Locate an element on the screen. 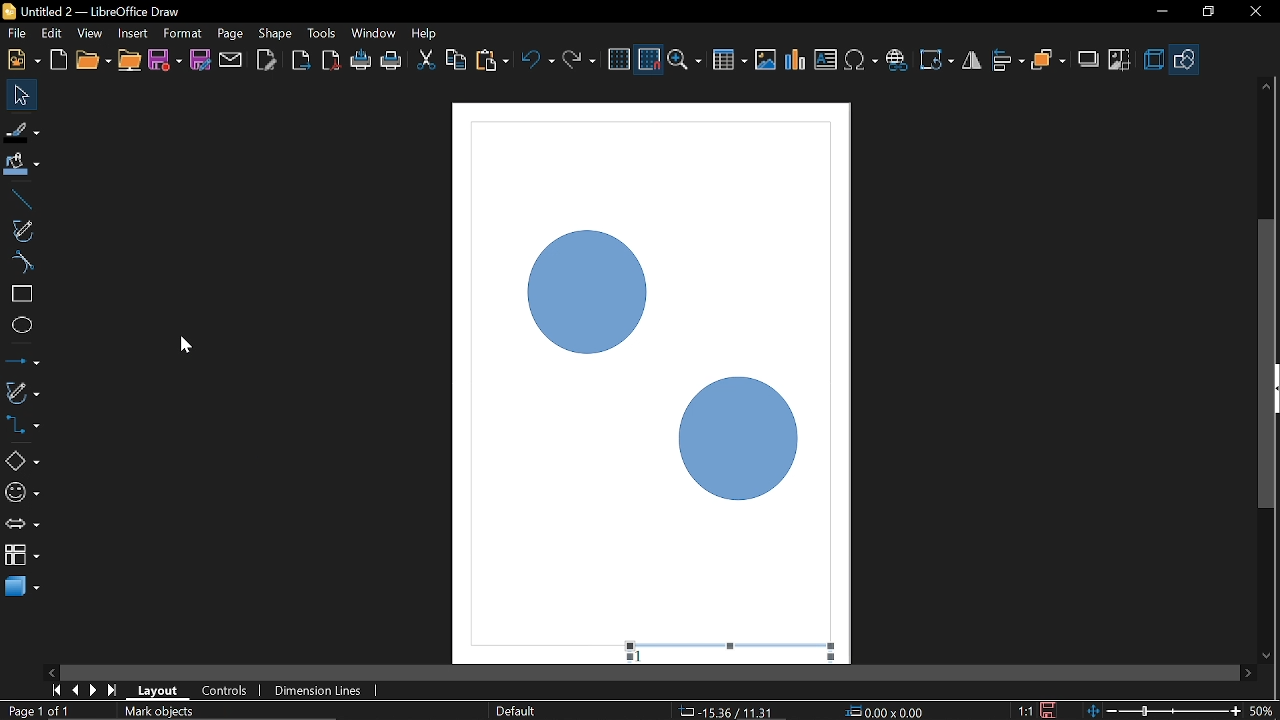 The width and height of the screenshot is (1280, 720). Cursor is located at coordinates (187, 345).